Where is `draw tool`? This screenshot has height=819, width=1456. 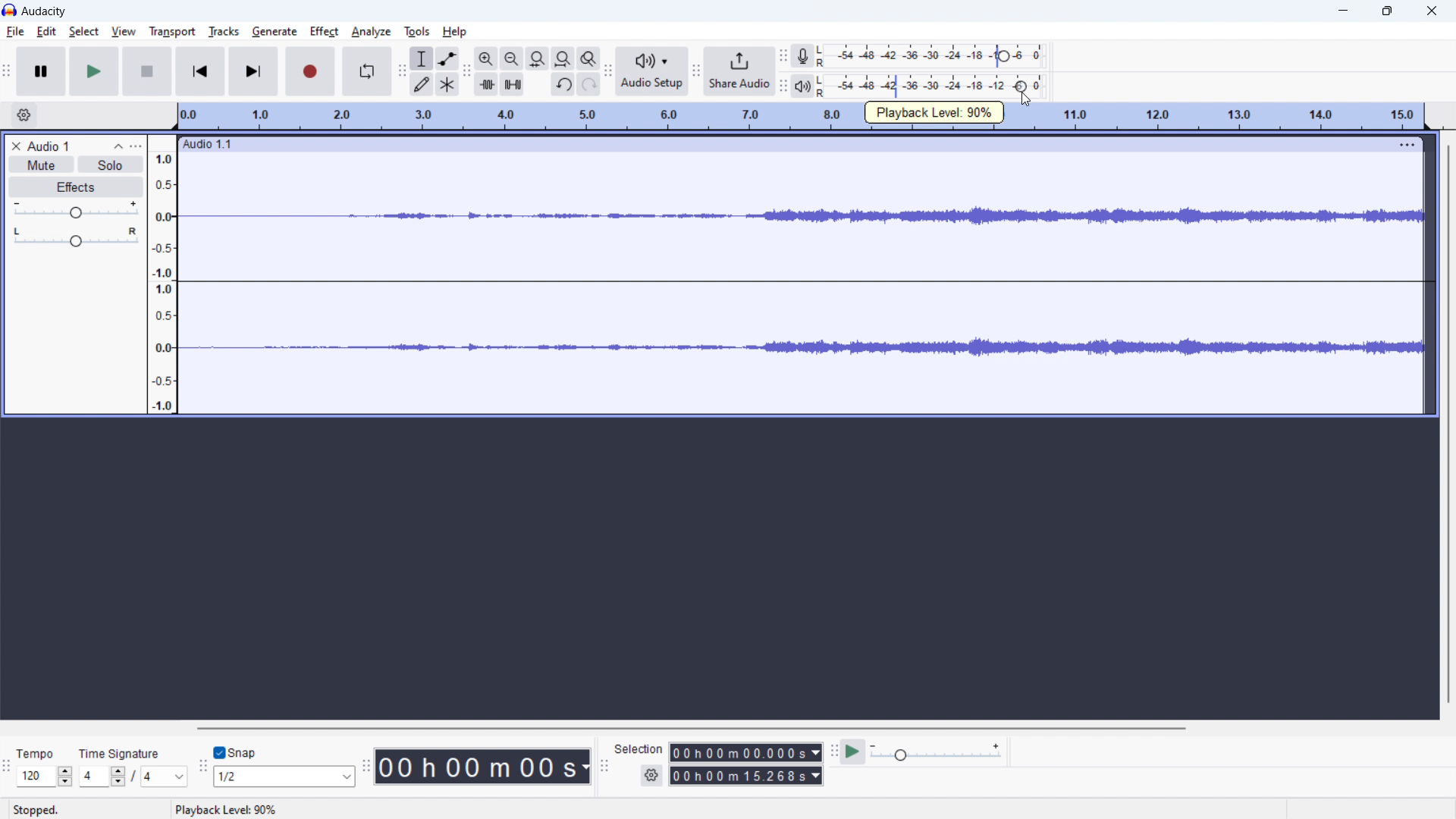
draw tool is located at coordinates (421, 83).